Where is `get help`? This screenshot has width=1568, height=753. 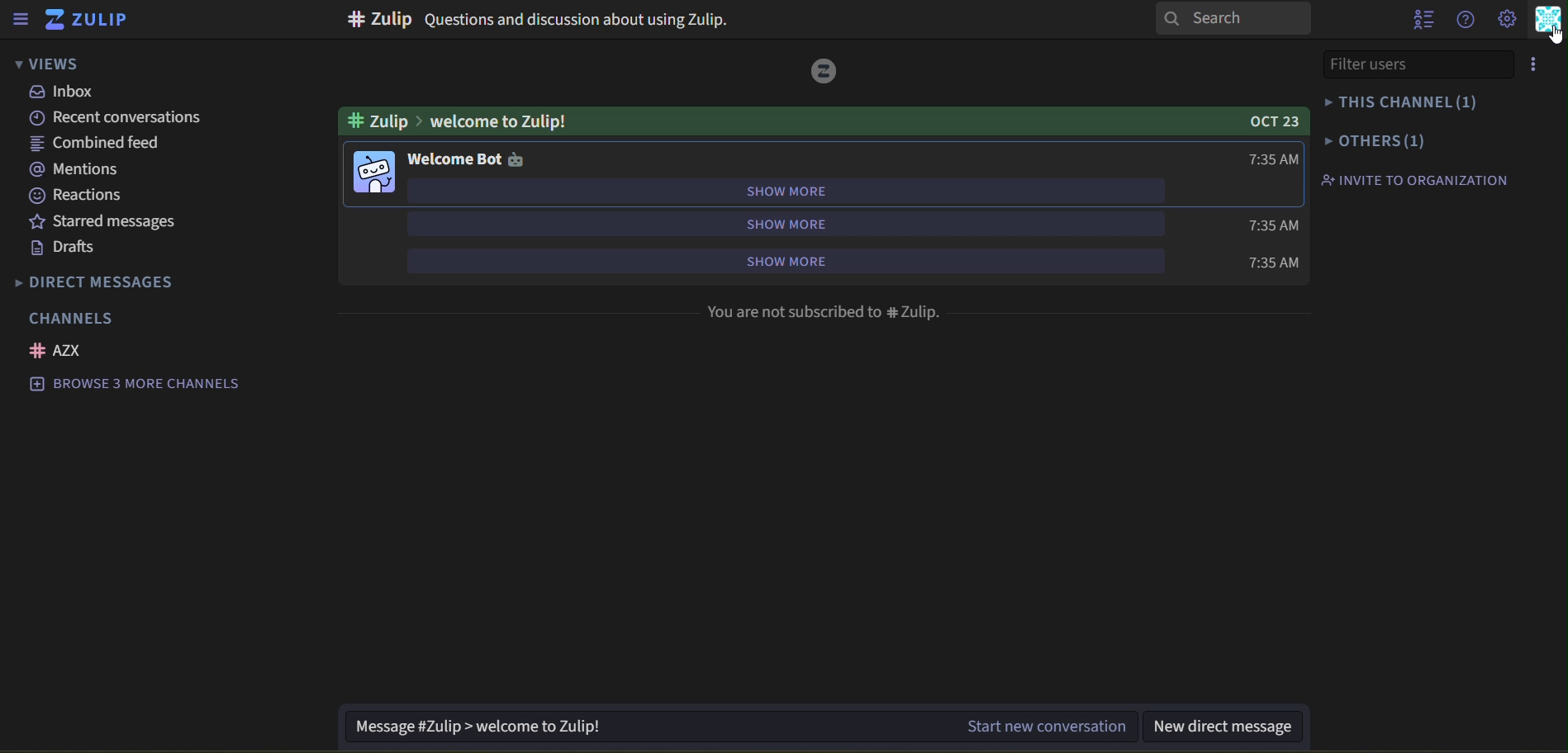
get help is located at coordinates (1464, 19).